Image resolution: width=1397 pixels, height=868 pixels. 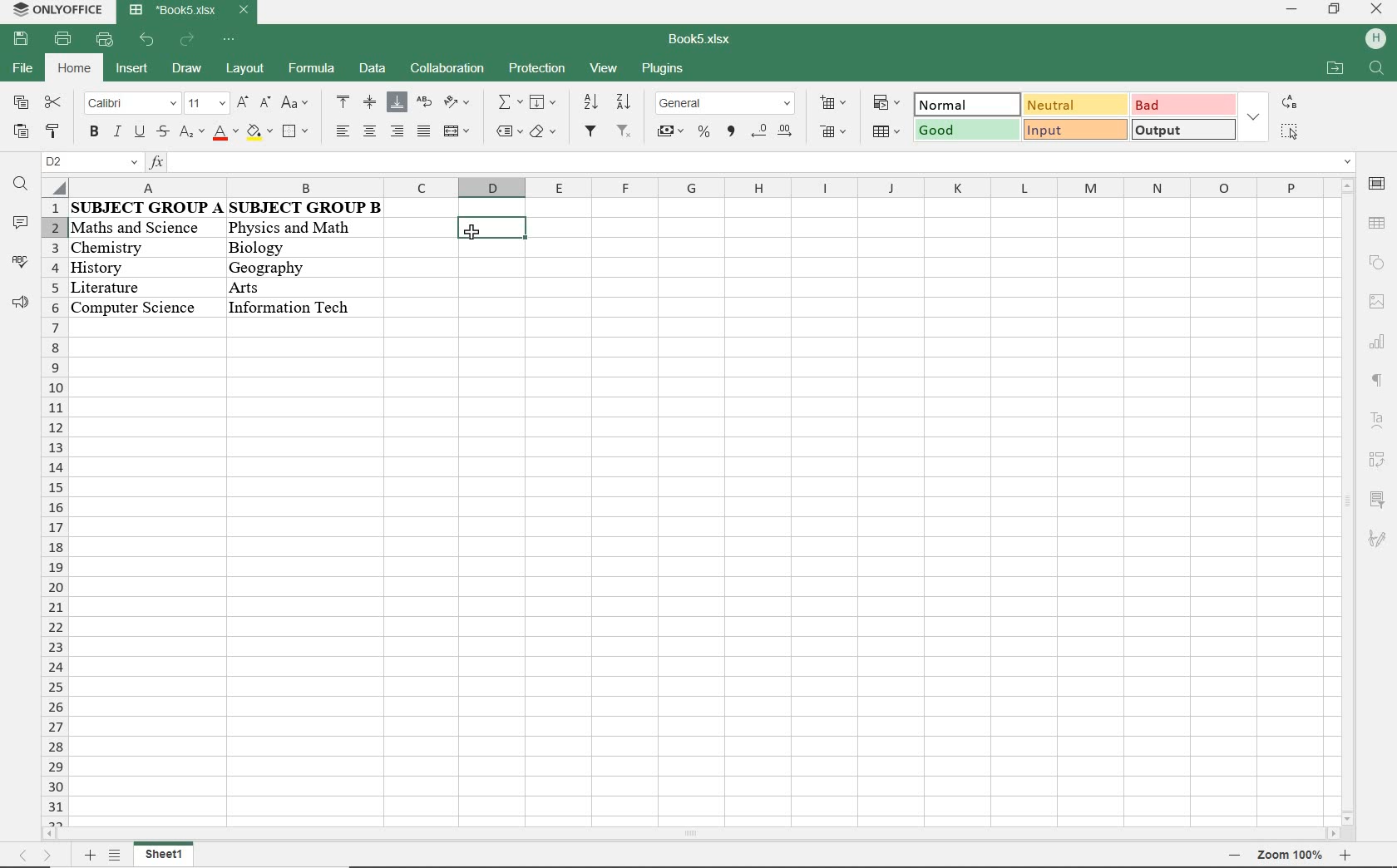 What do you see at coordinates (52, 133) in the screenshot?
I see `copy style` at bounding box center [52, 133].